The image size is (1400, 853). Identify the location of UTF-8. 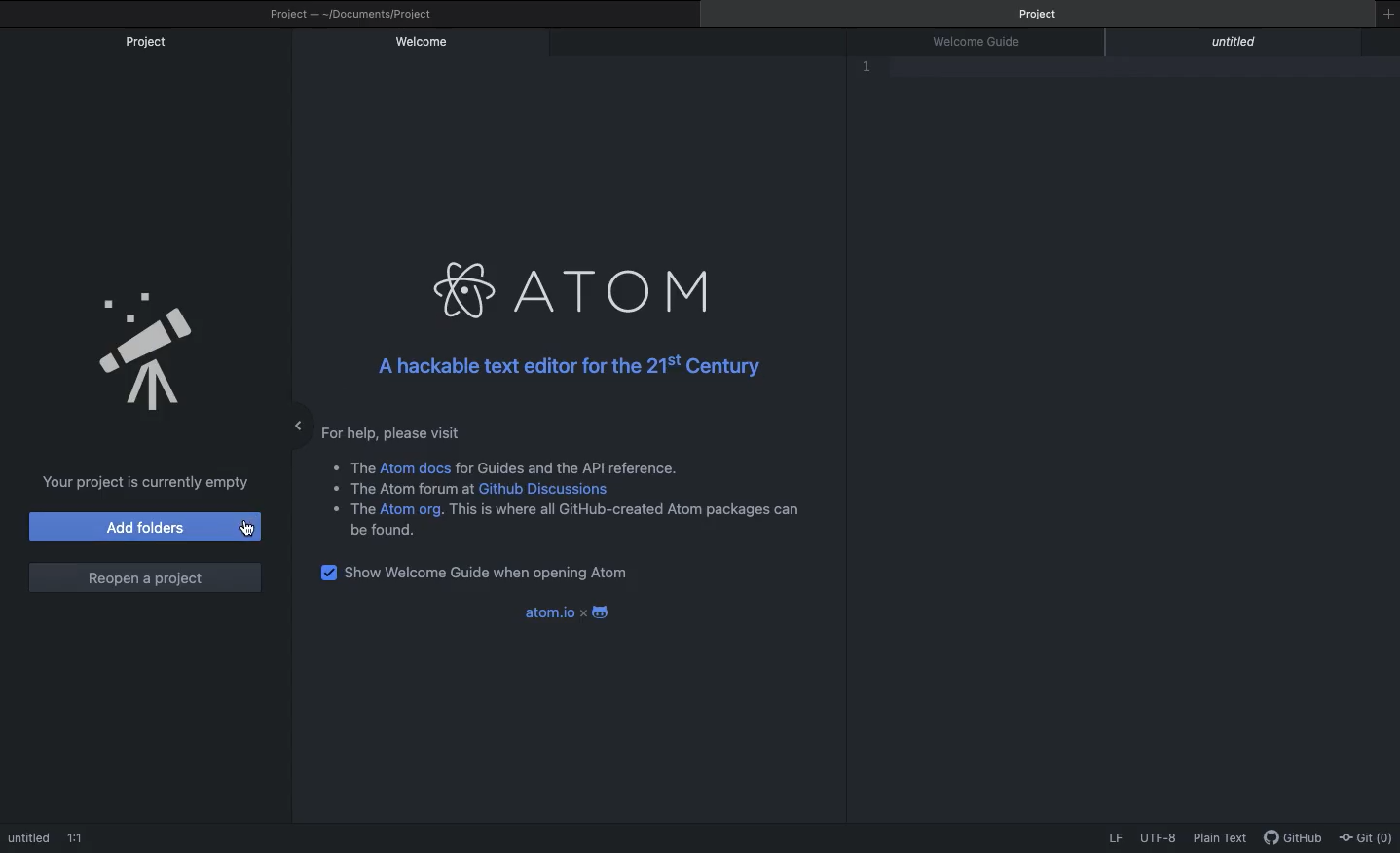
(1158, 835).